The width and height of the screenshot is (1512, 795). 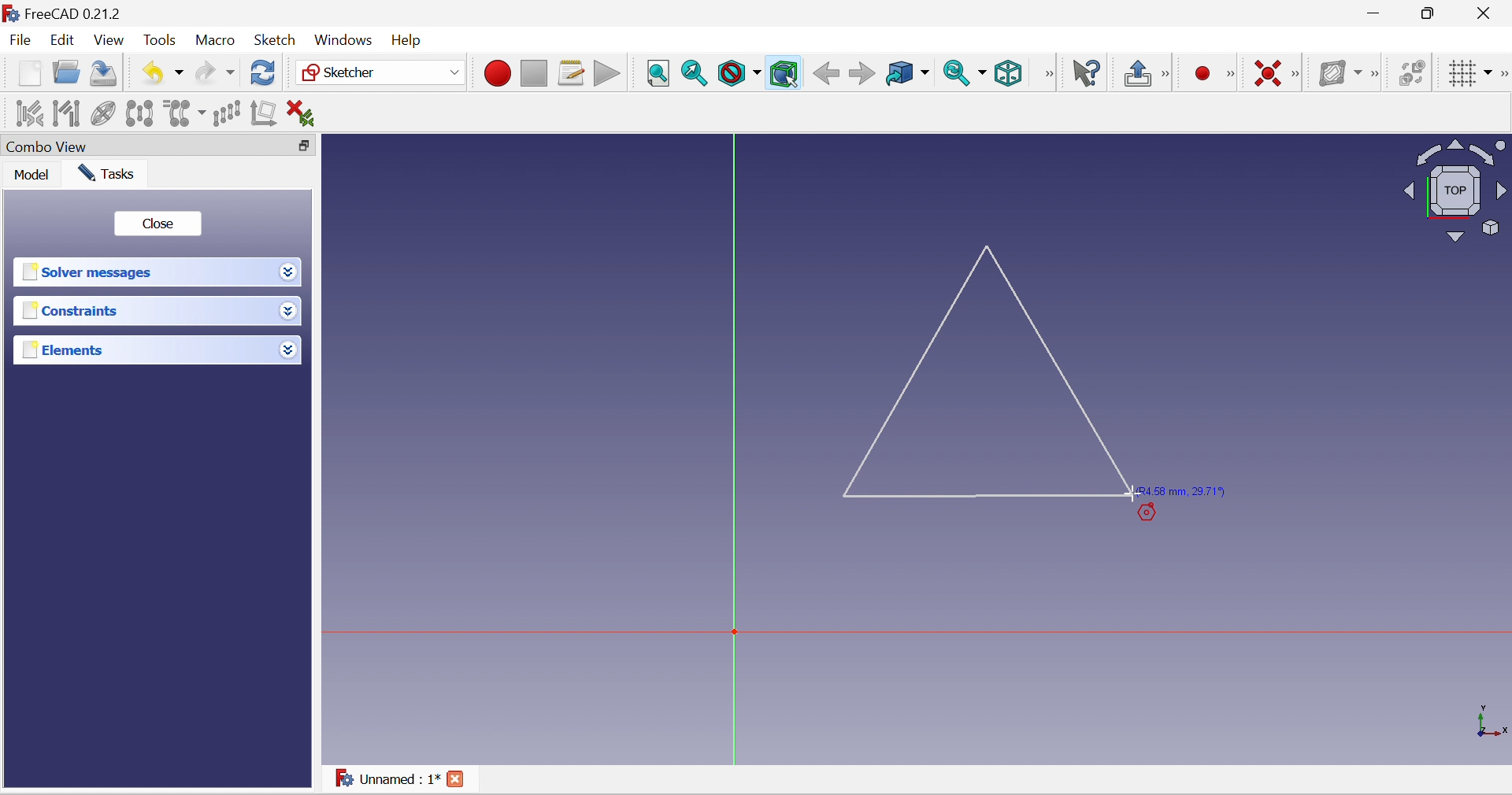 I want to click on x, y axis, so click(x=1488, y=720).